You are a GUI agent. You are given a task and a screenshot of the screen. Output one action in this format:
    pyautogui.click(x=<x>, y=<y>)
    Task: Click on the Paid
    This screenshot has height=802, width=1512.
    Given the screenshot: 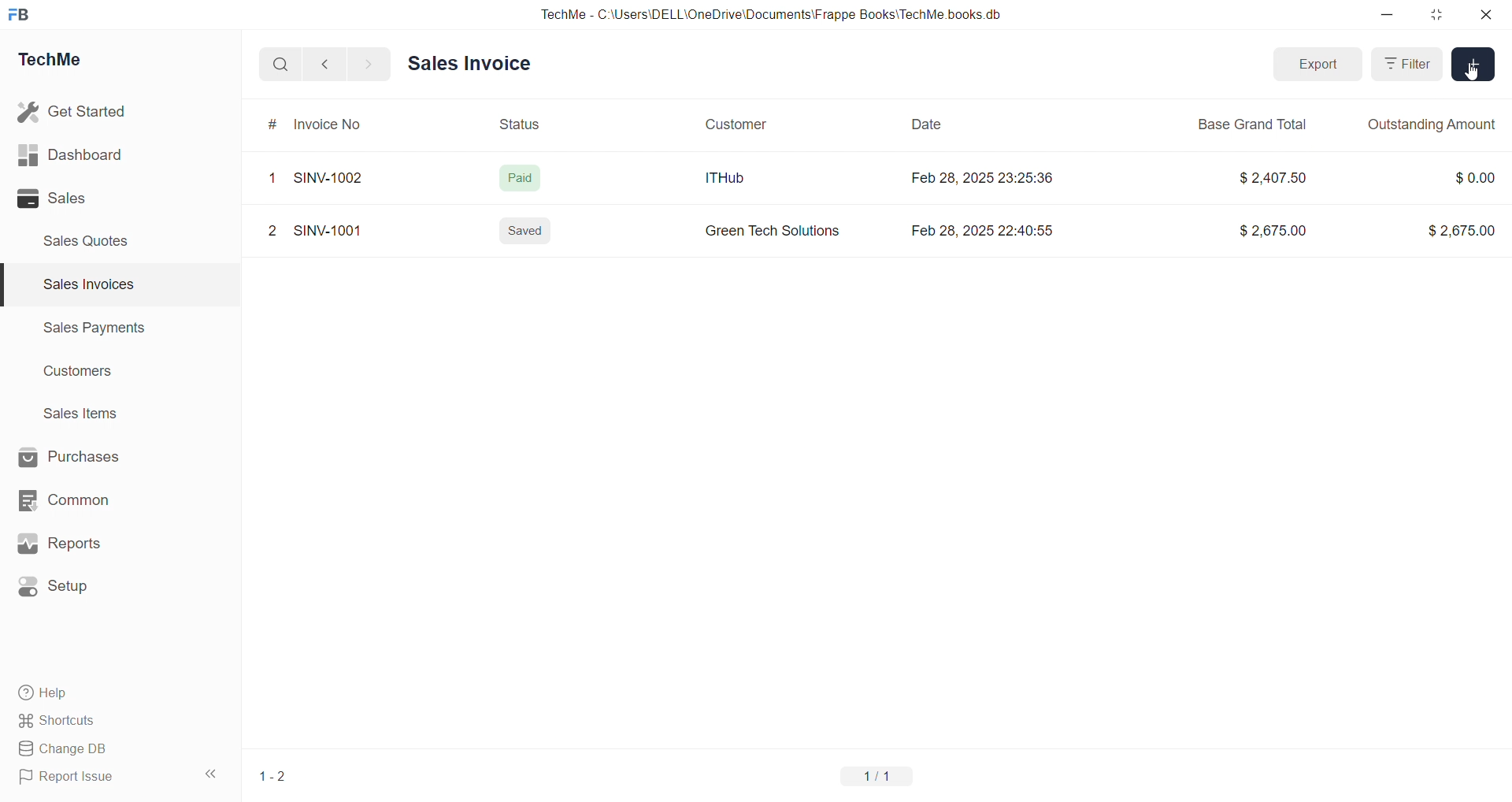 What is the action you would take?
    pyautogui.click(x=527, y=173)
    